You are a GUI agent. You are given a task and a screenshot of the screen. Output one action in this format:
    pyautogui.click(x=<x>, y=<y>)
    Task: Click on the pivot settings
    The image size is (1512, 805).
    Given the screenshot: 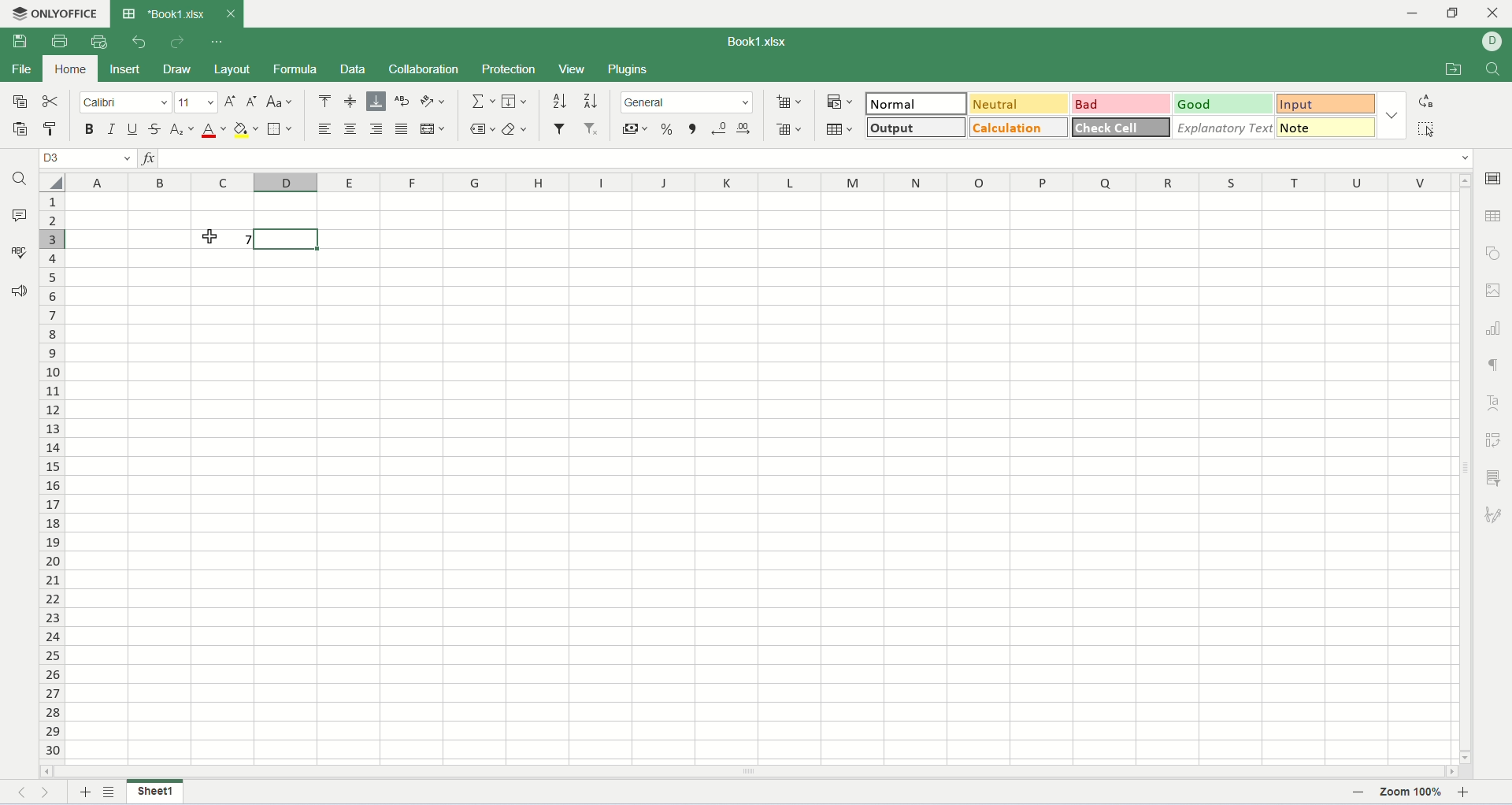 What is the action you would take?
    pyautogui.click(x=1497, y=440)
    